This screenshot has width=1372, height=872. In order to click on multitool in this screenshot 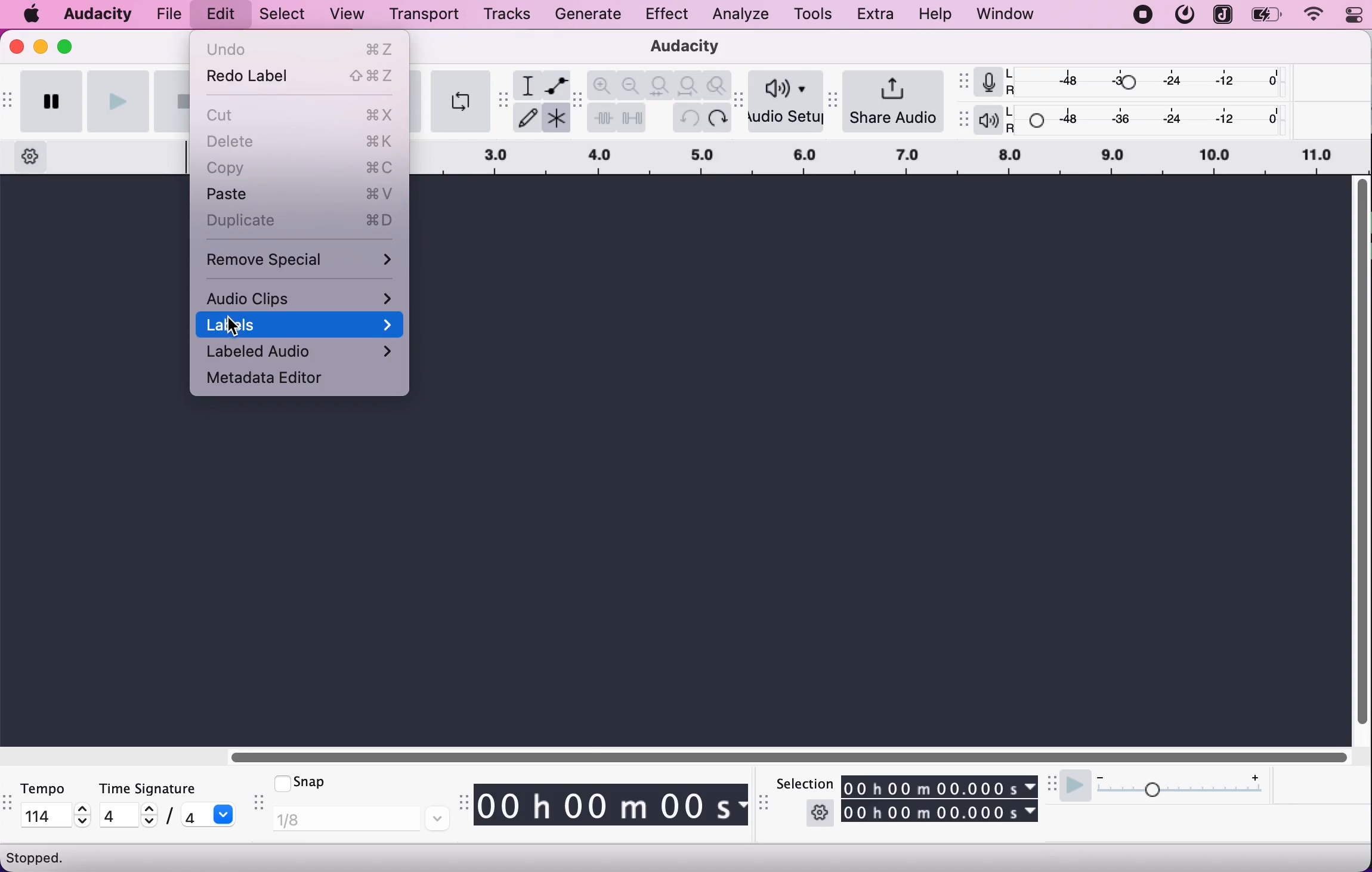, I will do `click(555, 120)`.